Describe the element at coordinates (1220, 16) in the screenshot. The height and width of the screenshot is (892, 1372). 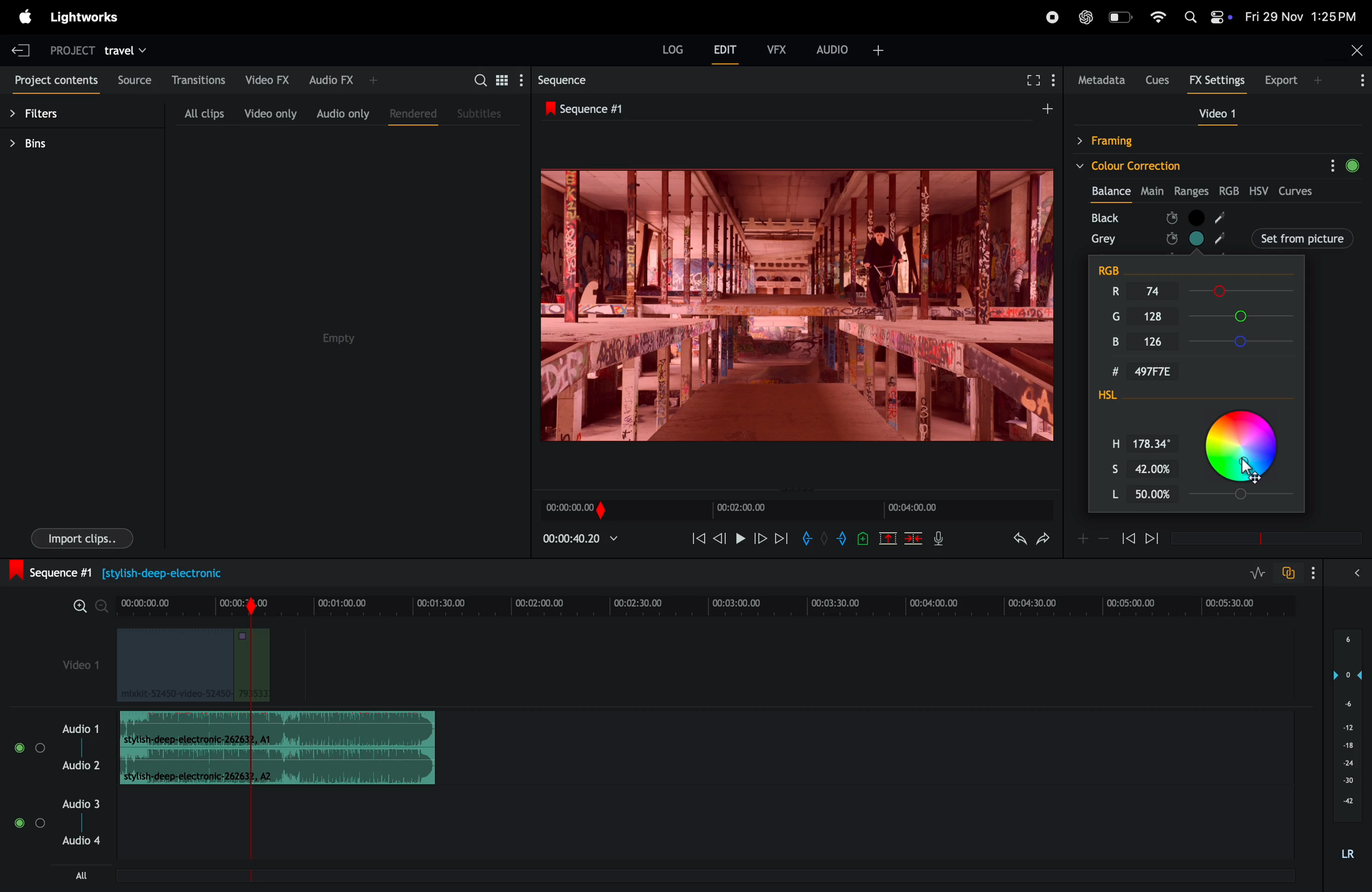
I see `control panel` at that location.